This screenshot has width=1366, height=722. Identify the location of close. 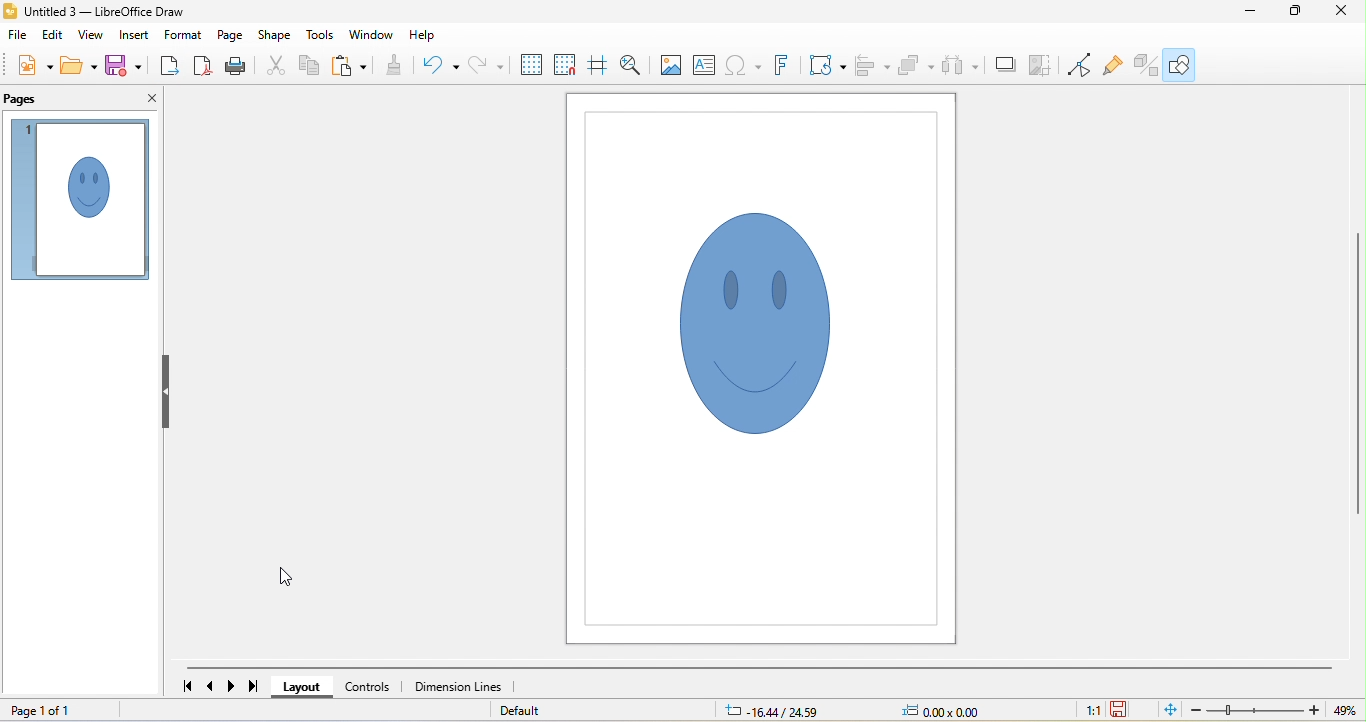
(153, 99).